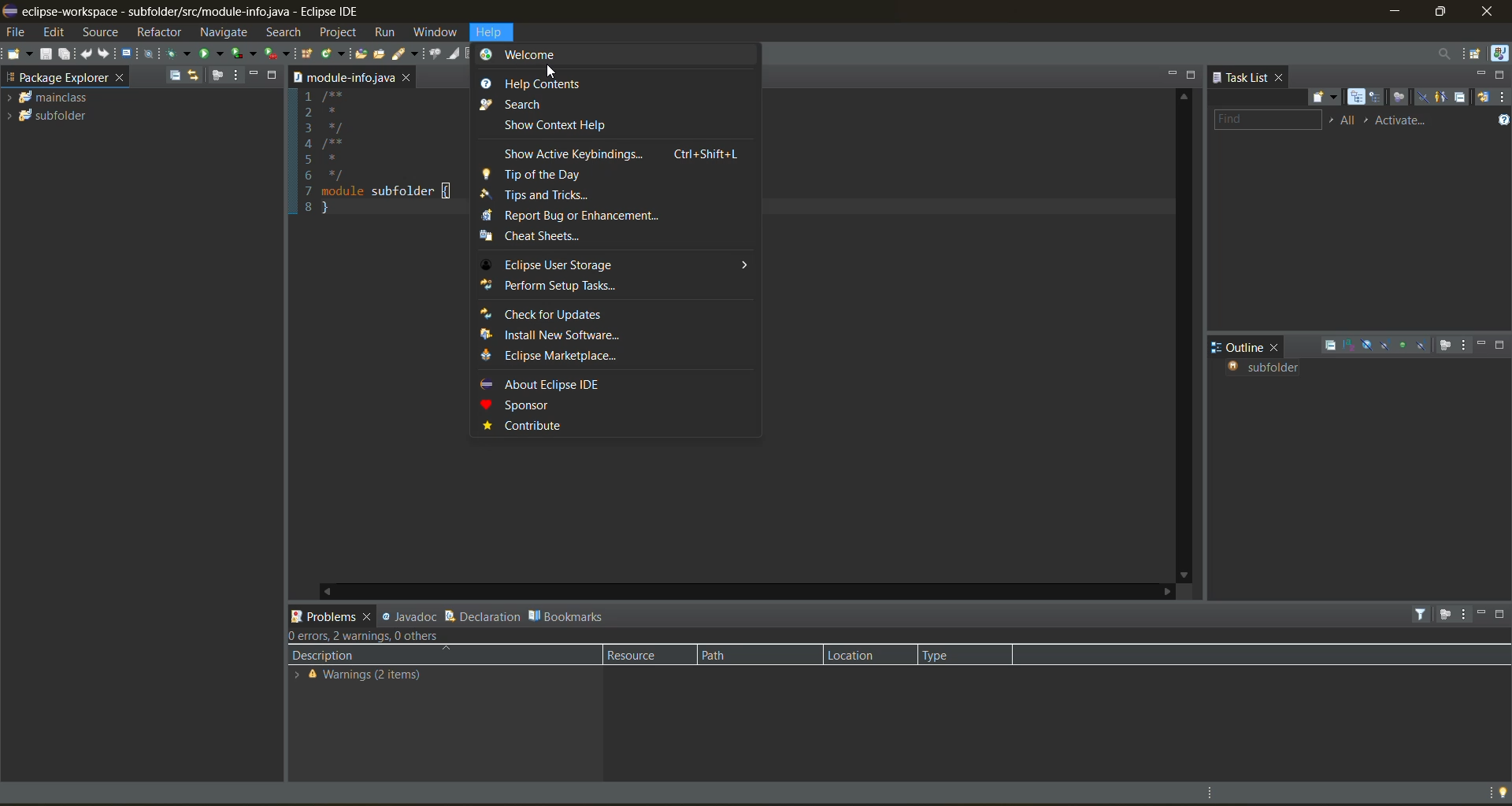 This screenshot has height=806, width=1512. What do you see at coordinates (1266, 119) in the screenshot?
I see `find` at bounding box center [1266, 119].